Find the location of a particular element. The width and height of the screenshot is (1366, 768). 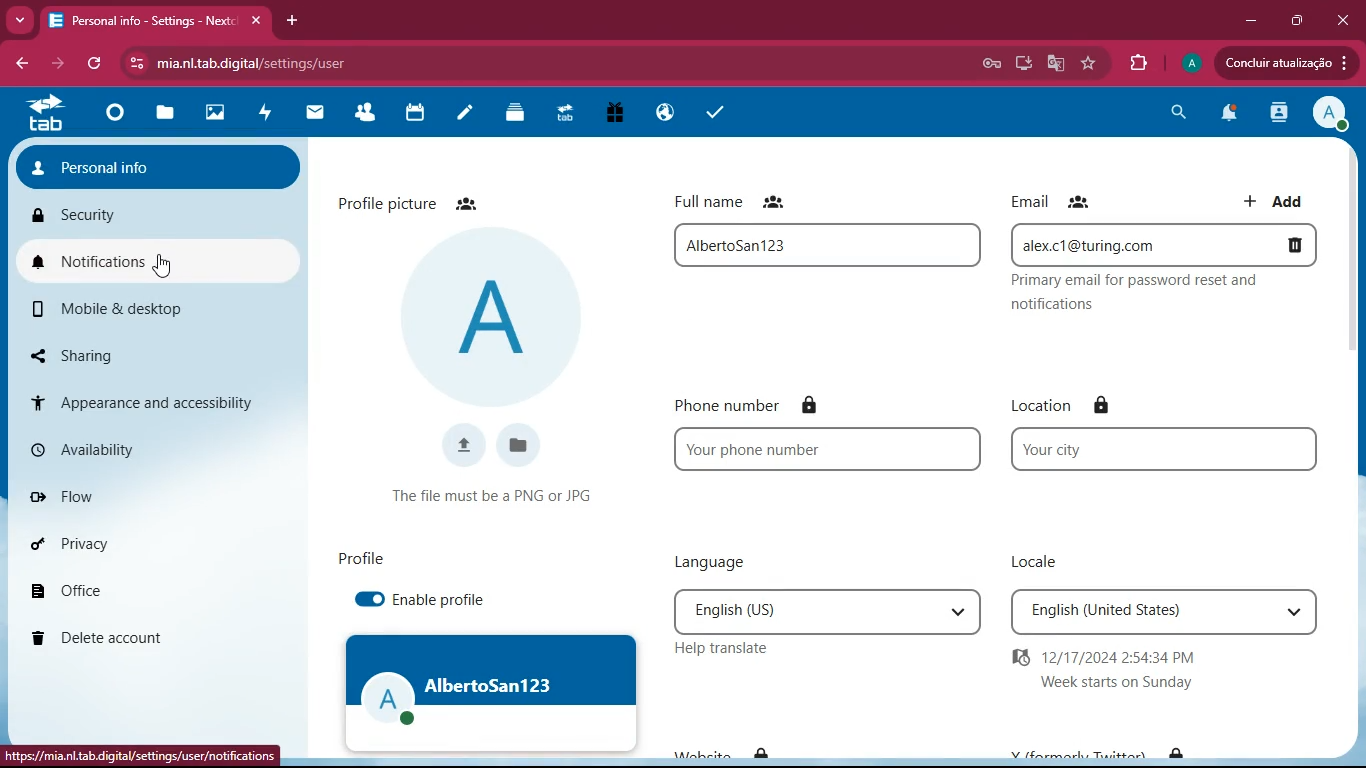

google translate is located at coordinates (1054, 63).